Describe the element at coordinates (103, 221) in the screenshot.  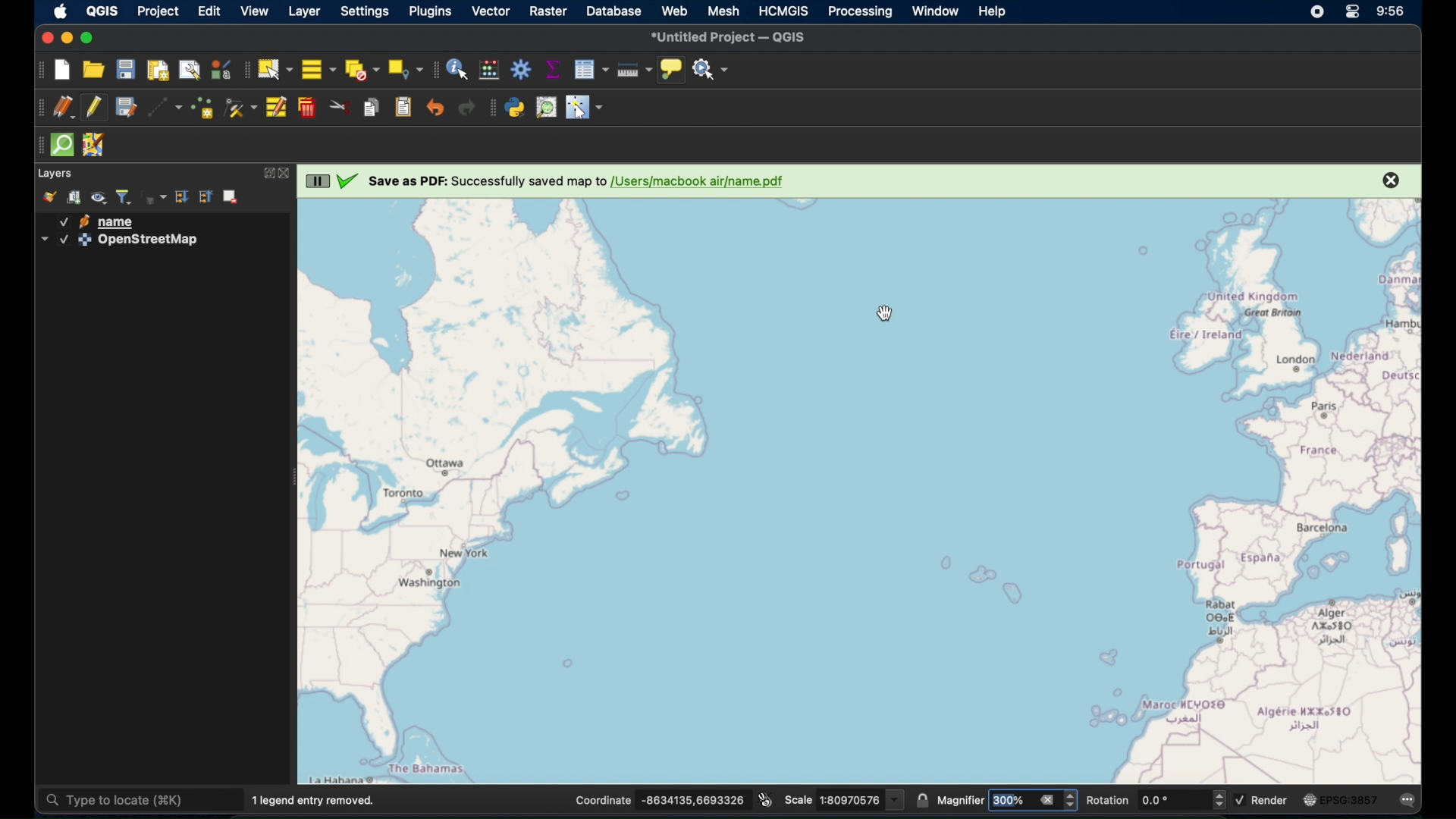
I see `name` at that location.